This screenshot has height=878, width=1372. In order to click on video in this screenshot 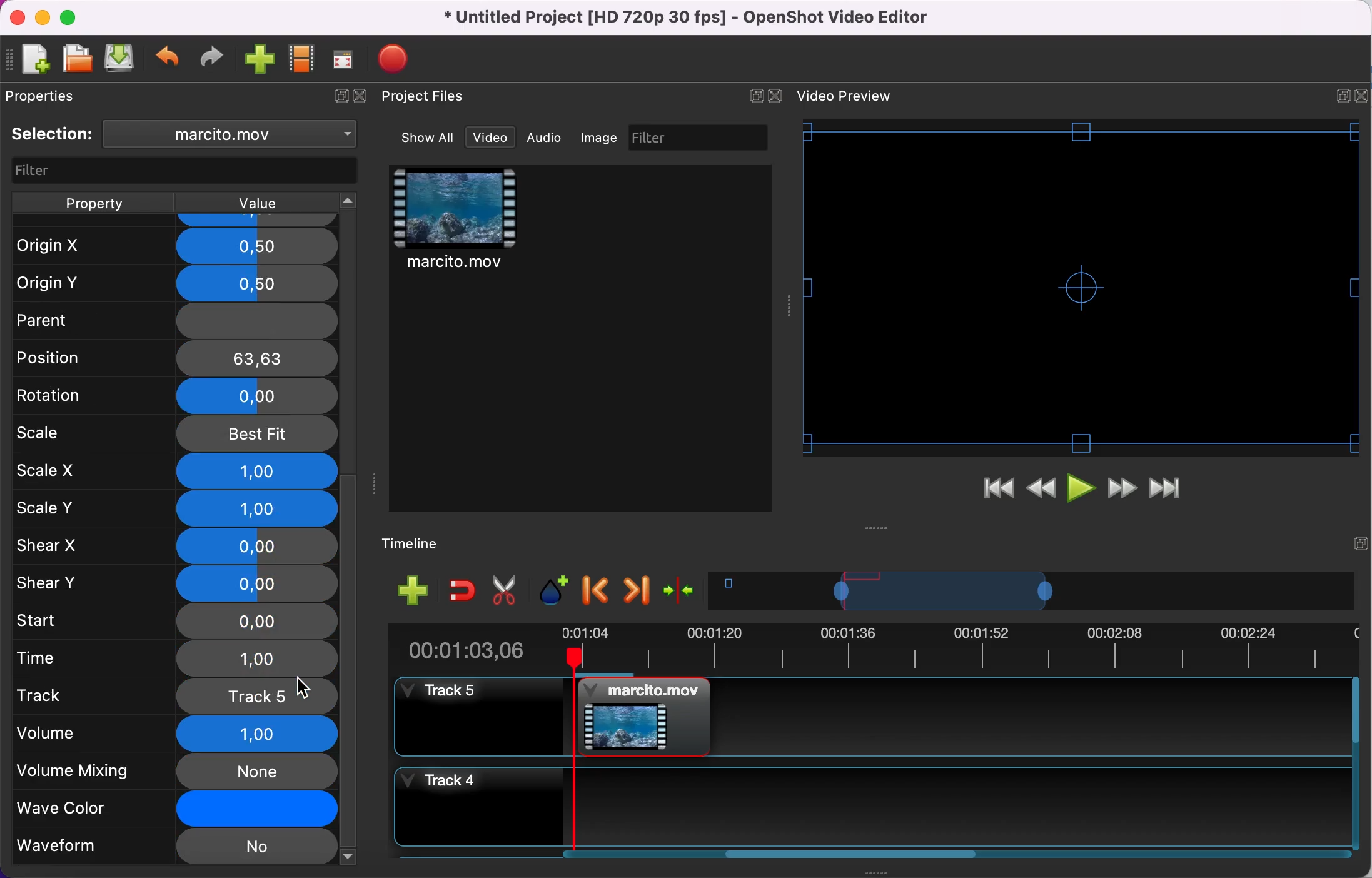, I will do `click(456, 221)`.